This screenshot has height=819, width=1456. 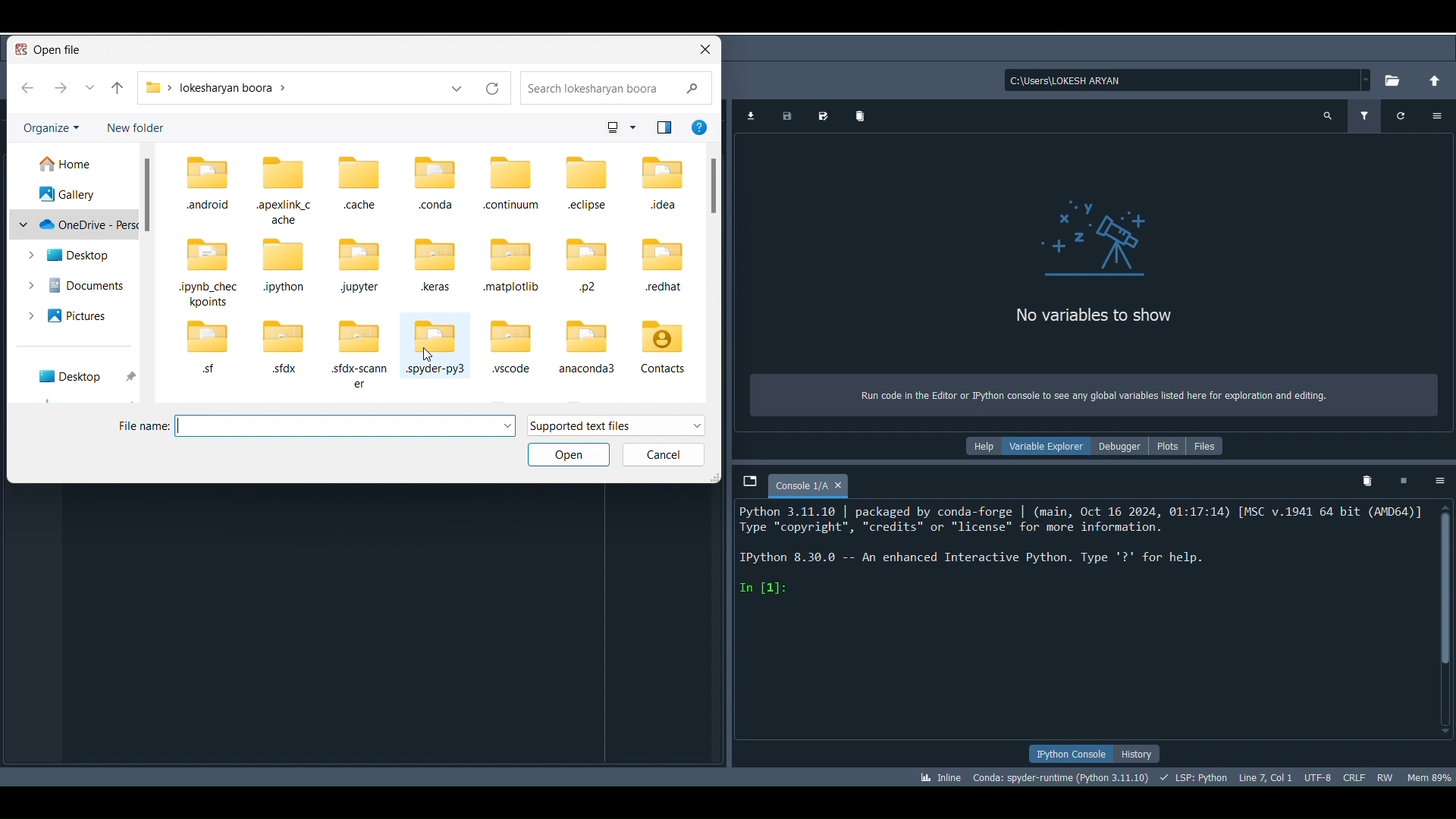 What do you see at coordinates (1360, 482) in the screenshot?
I see `Remove all variables from namespace` at bounding box center [1360, 482].